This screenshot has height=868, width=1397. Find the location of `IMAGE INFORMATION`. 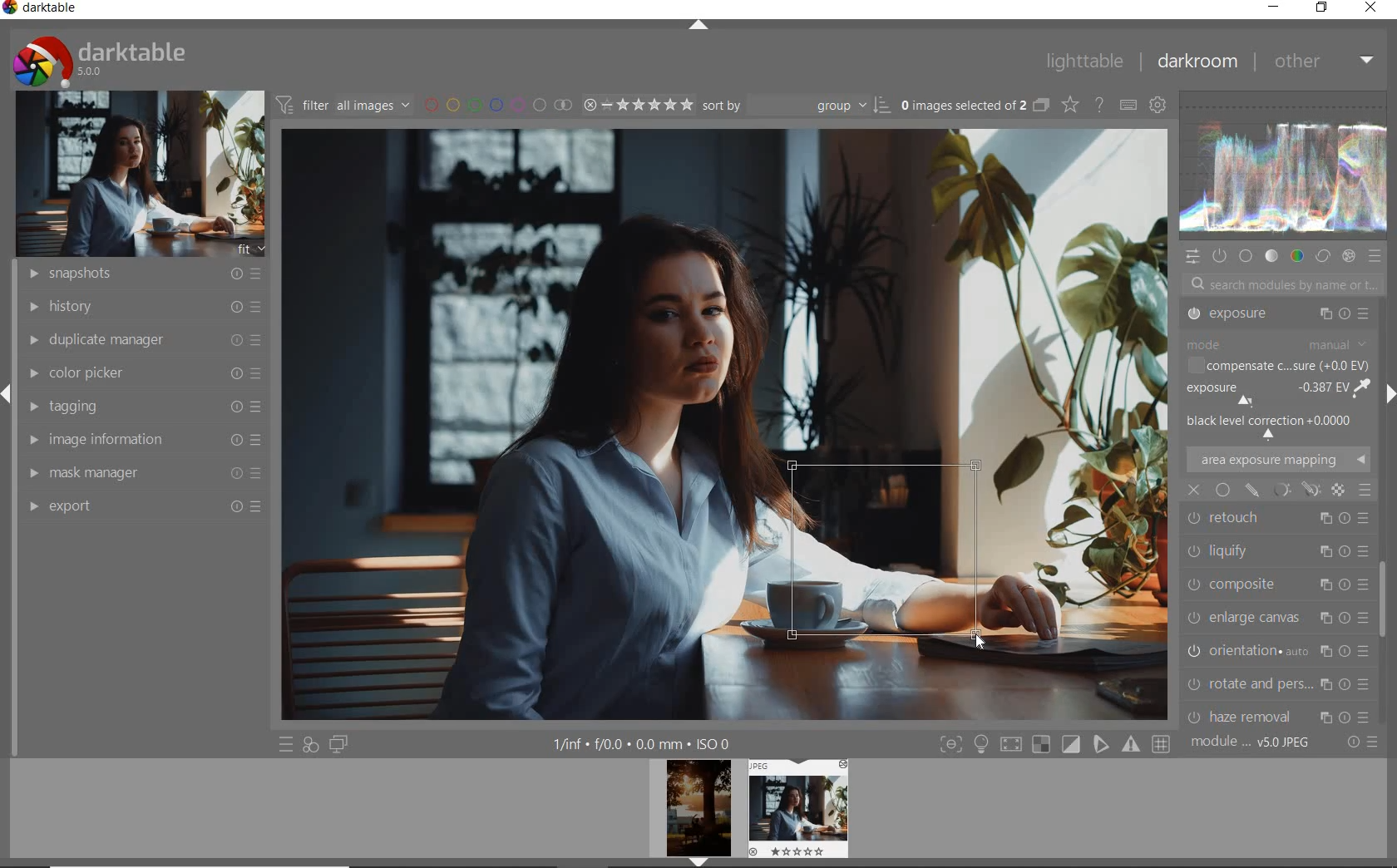

IMAGE INFORMATION is located at coordinates (141, 440).